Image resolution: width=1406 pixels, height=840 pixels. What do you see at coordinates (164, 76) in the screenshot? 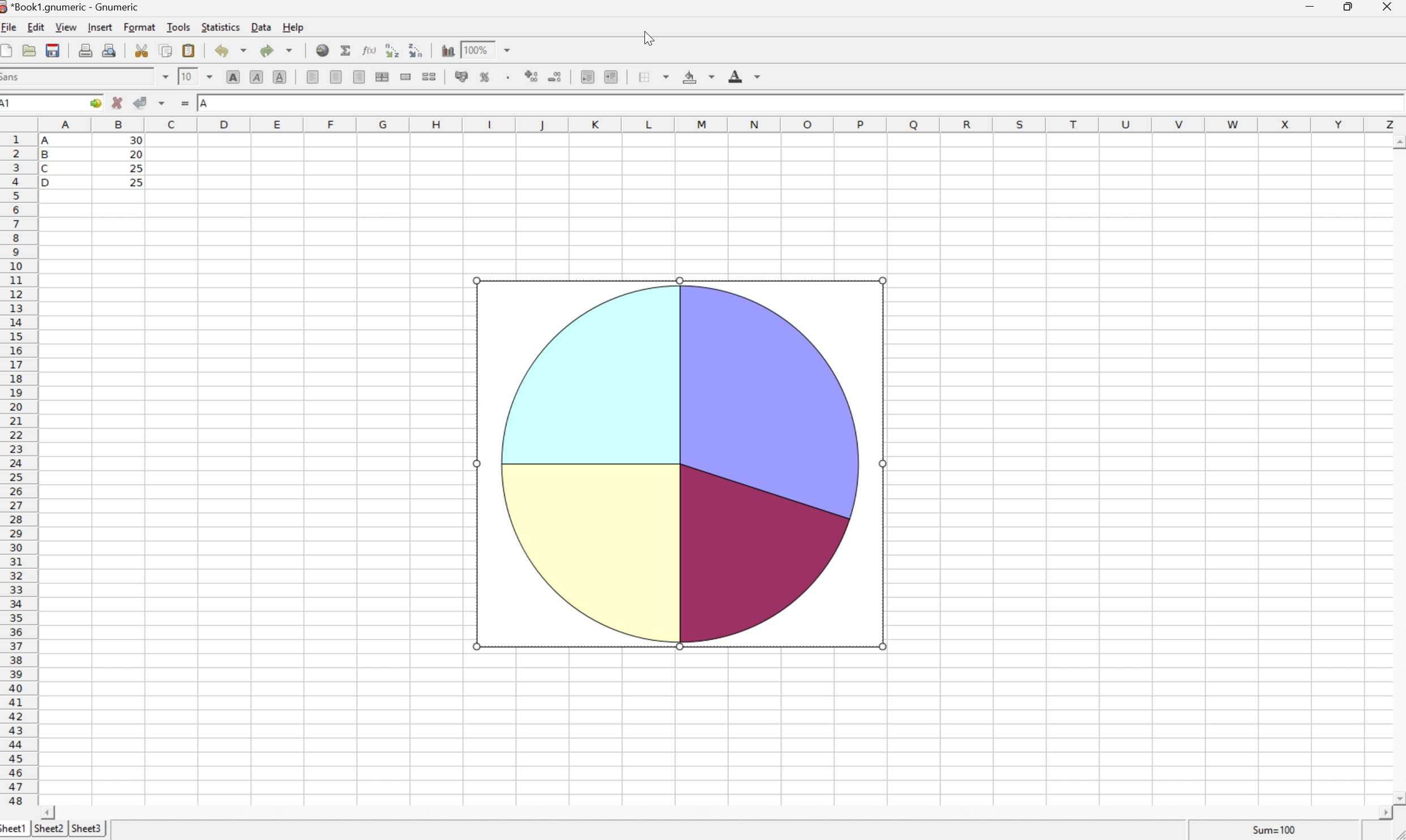
I see `Drop Down` at bounding box center [164, 76].